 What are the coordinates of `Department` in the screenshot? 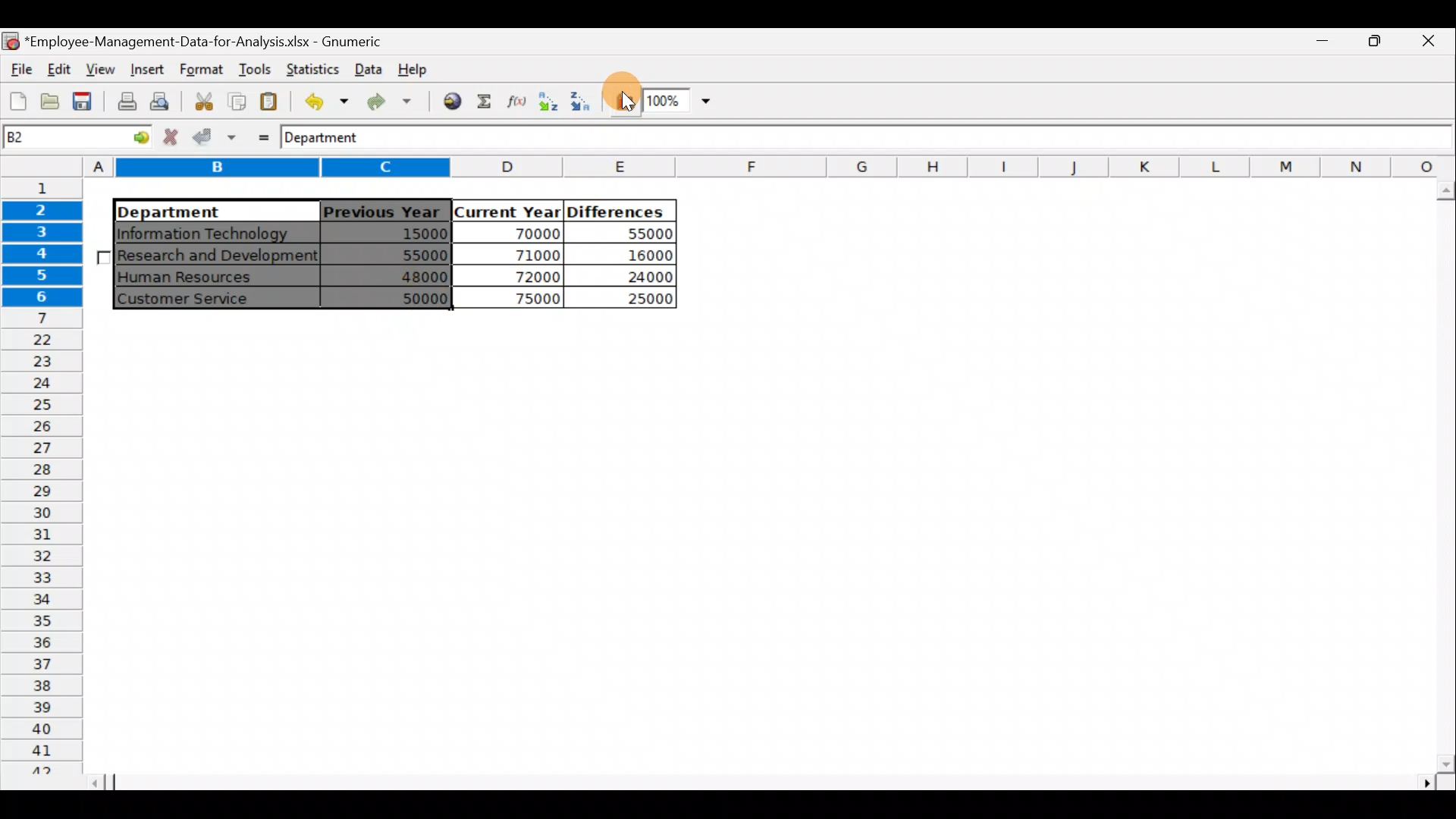 It's located at (206, 211).